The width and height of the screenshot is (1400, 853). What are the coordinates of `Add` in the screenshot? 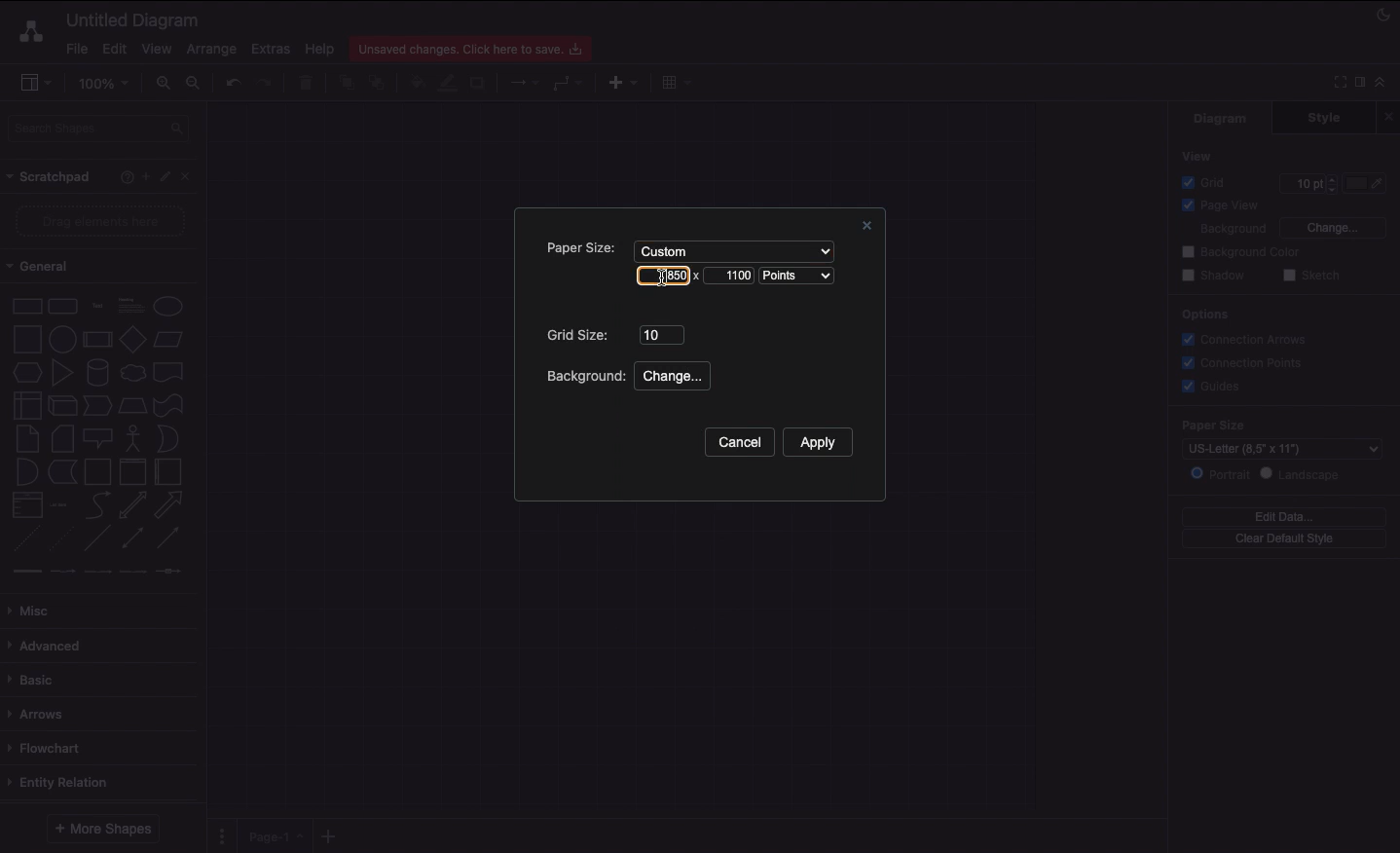 It's located at (145, 175).